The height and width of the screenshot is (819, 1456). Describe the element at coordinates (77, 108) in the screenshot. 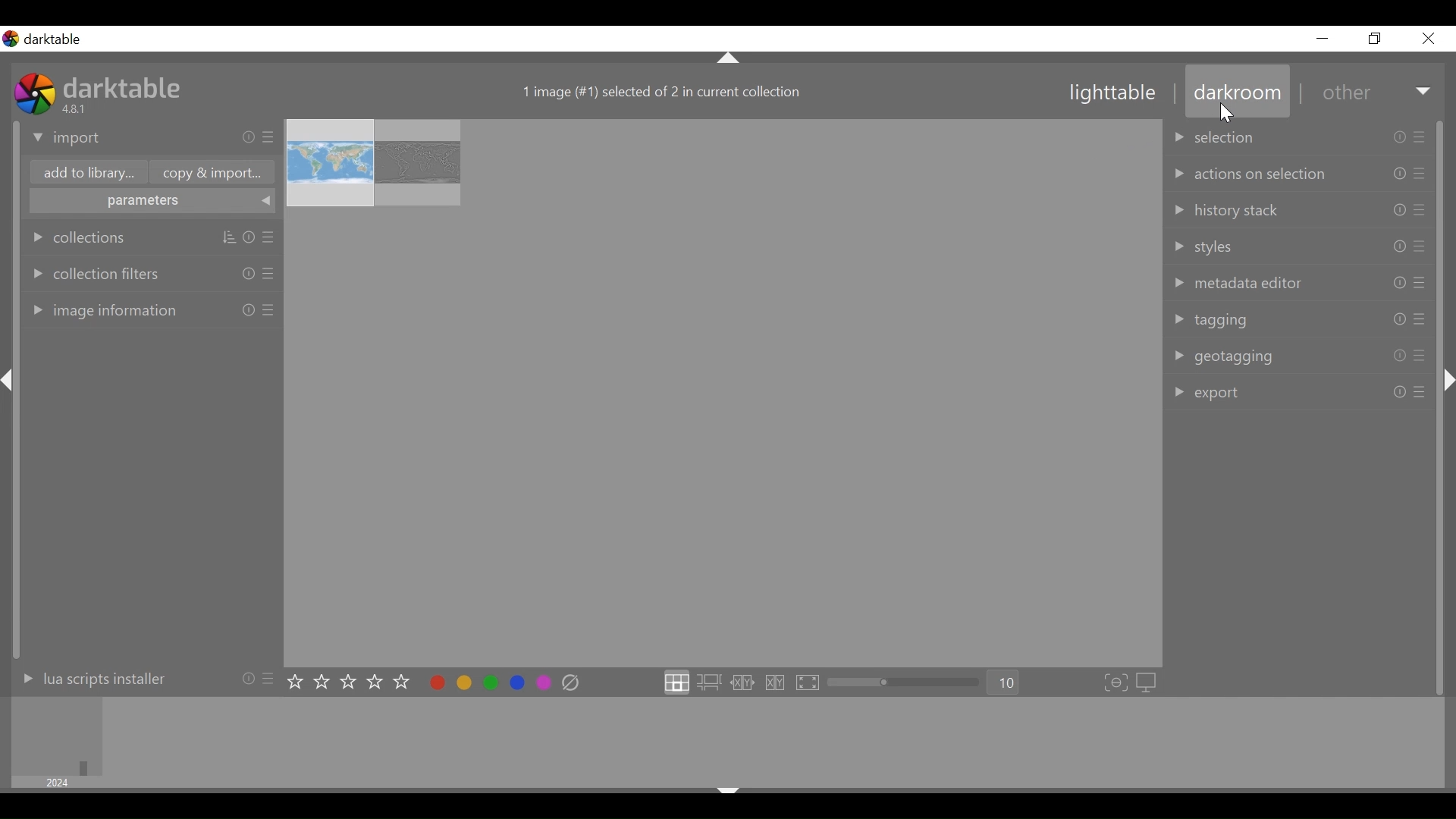

I see `4.8.1` at that location.